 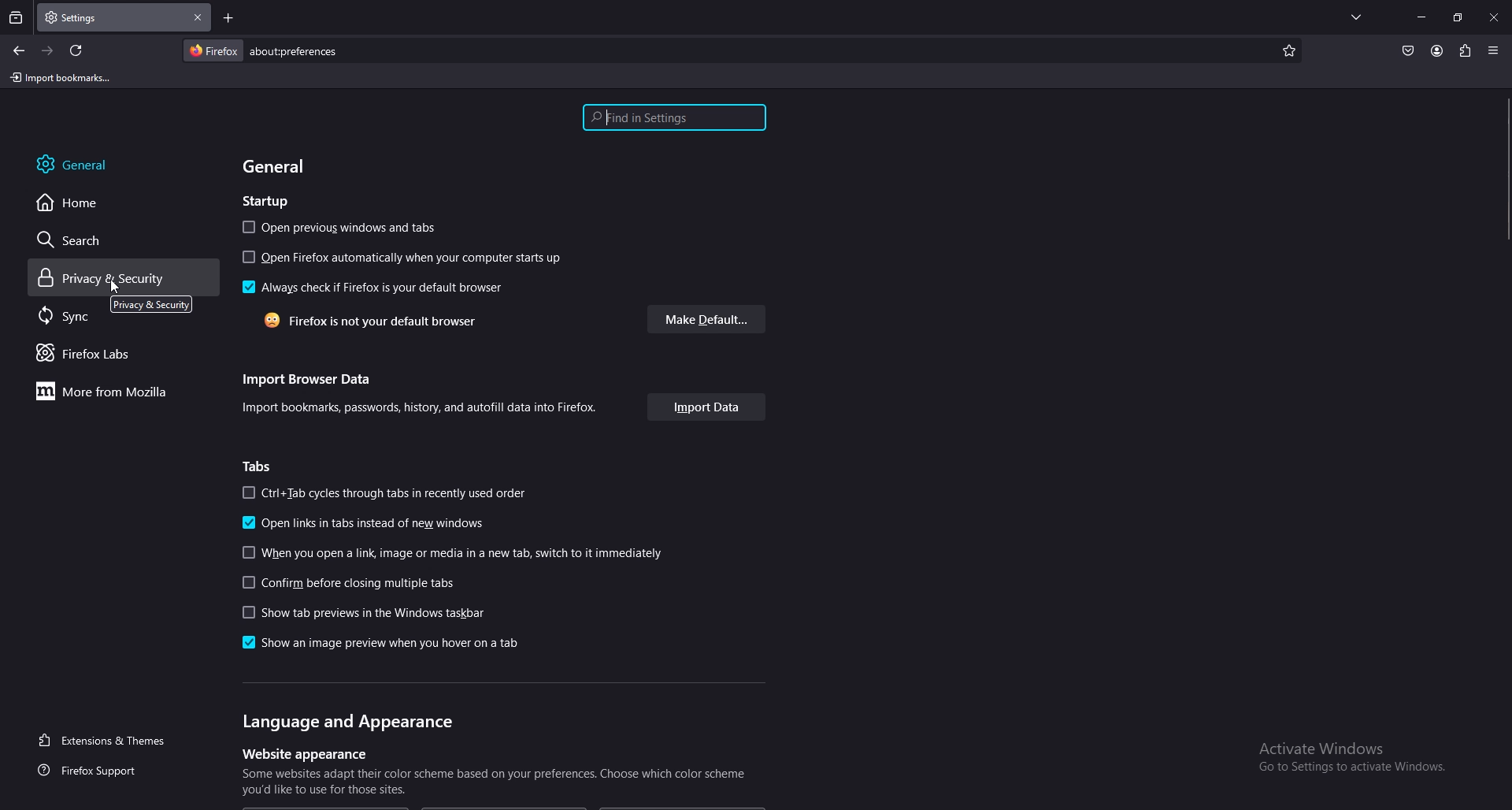 I want to click on extension and themes, so click(x=105, y=740).